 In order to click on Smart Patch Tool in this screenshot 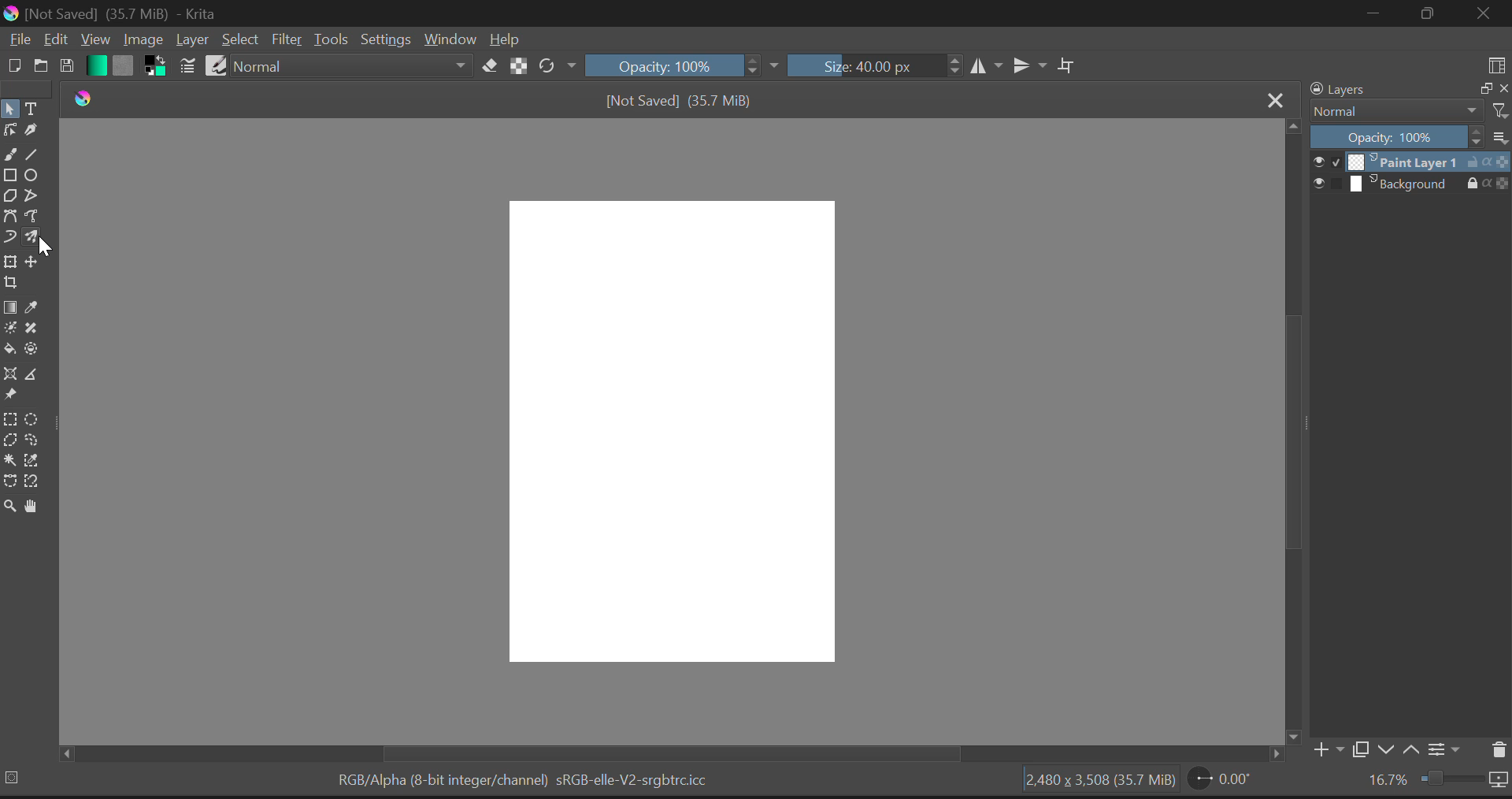, I will do `click(36, 328)`.